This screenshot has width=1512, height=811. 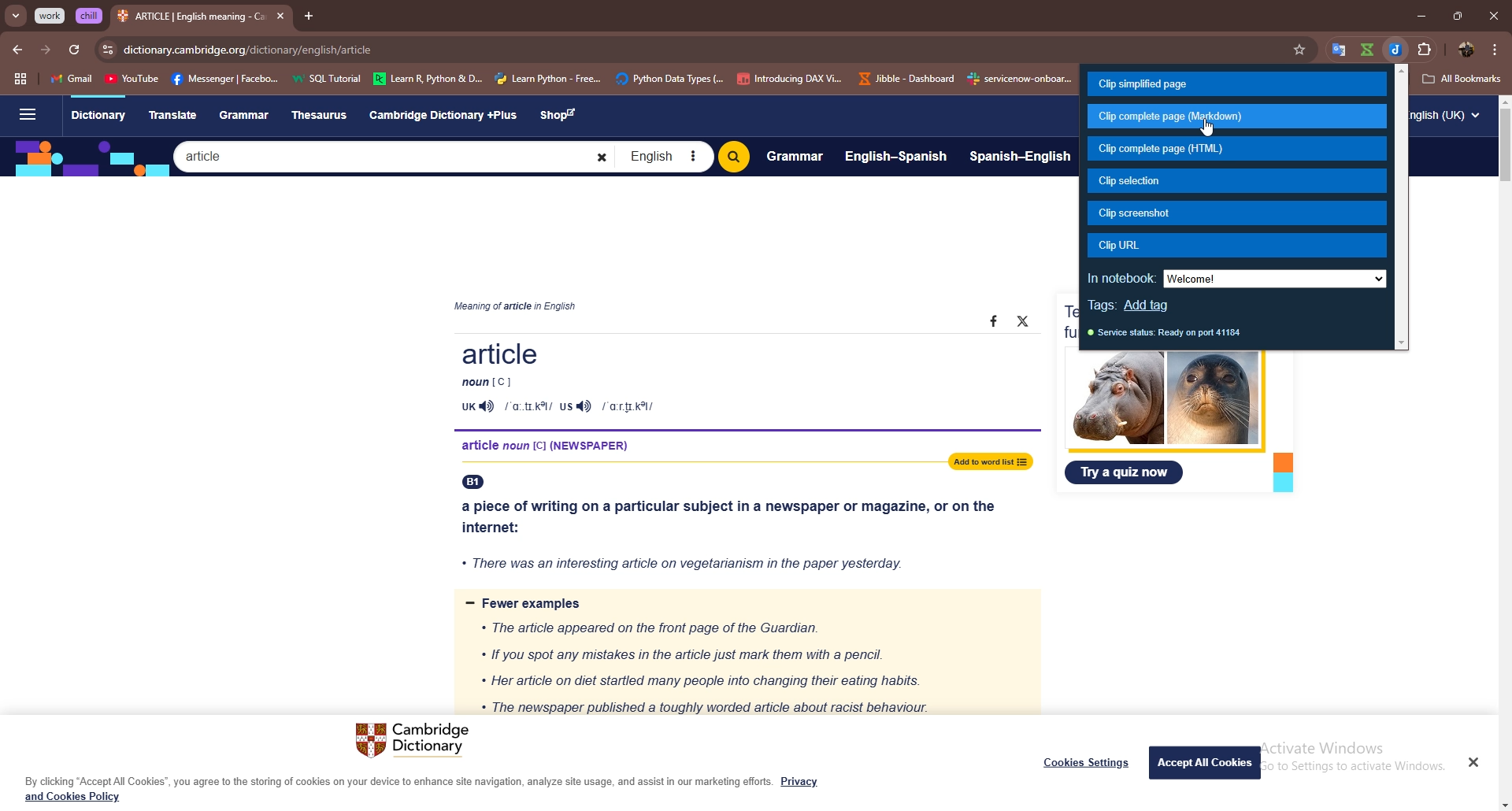 What do you see at coordinates (417, 742) in the screenshot?
I see ` Cambridge Dictionary` at bounding box center [417, 742].